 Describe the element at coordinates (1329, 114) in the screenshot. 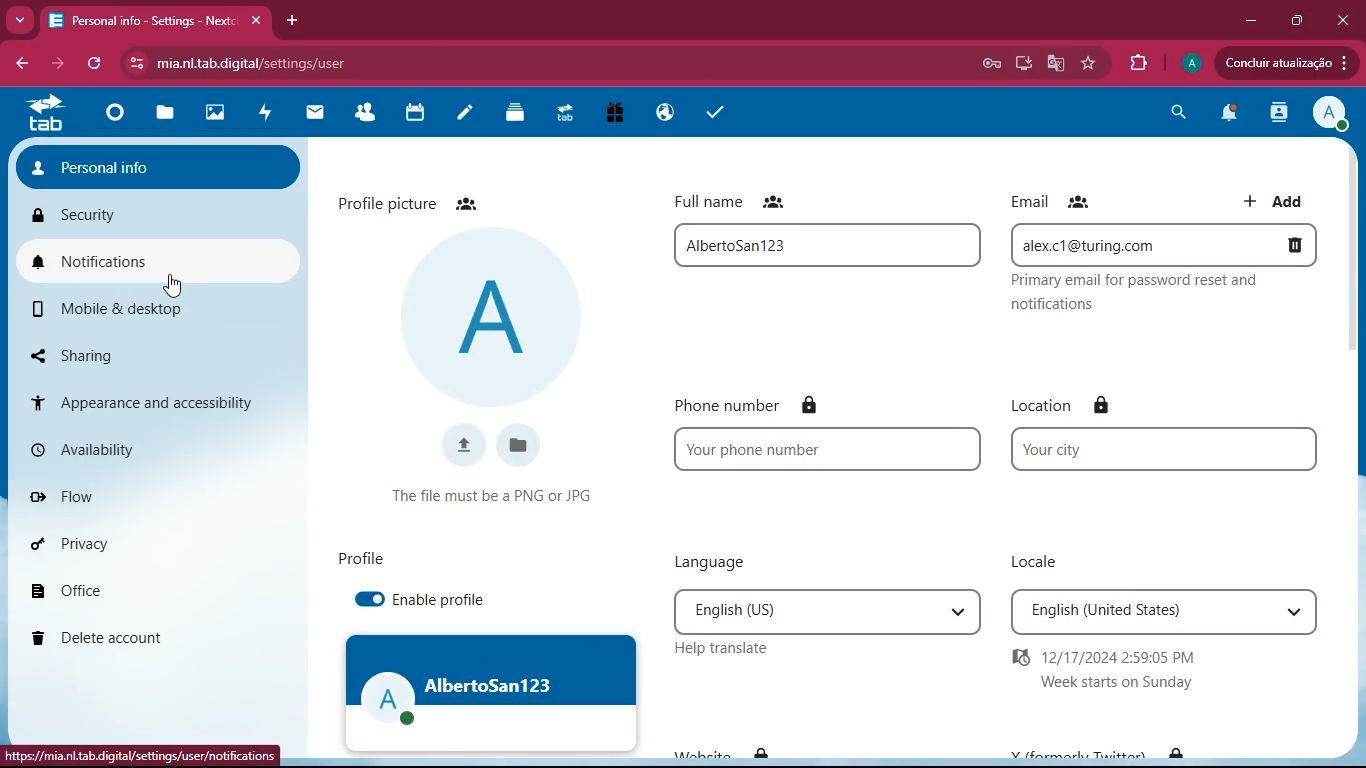

I see `profile` at that location.